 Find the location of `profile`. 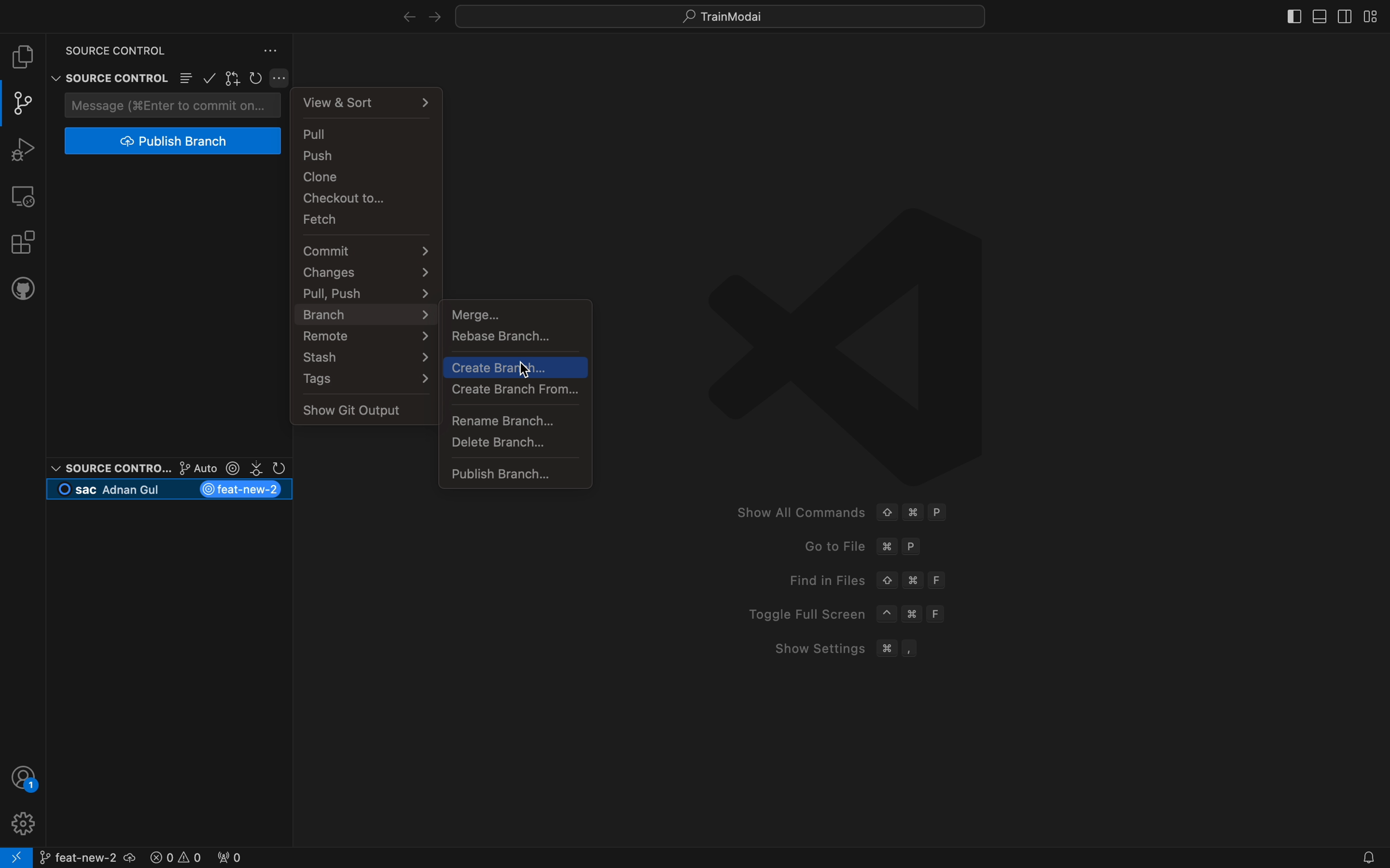

profile is located at coordinates (21, 822).